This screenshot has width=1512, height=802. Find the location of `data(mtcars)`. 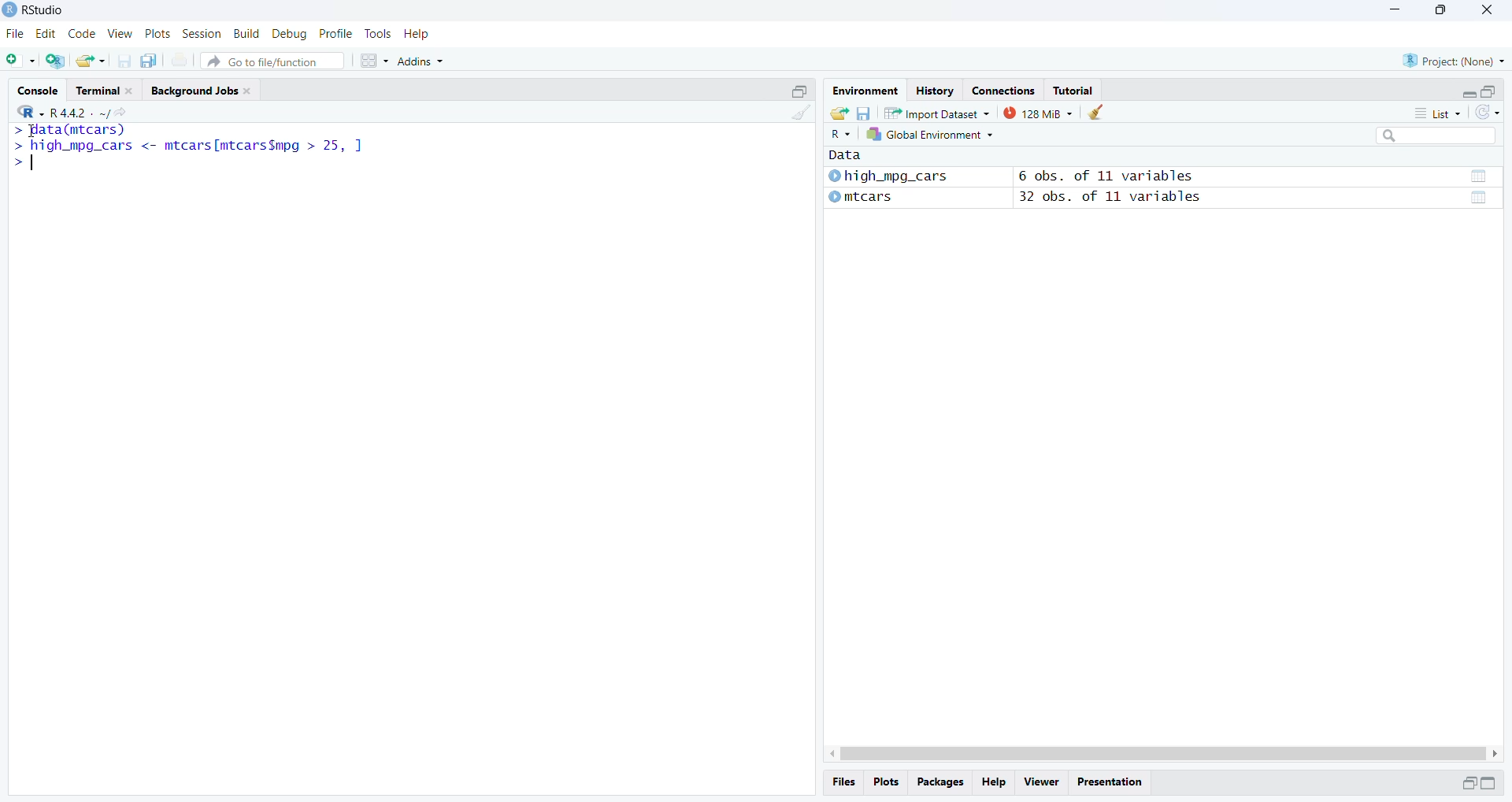

data(mtcars) is located at coordinates (69, 130).